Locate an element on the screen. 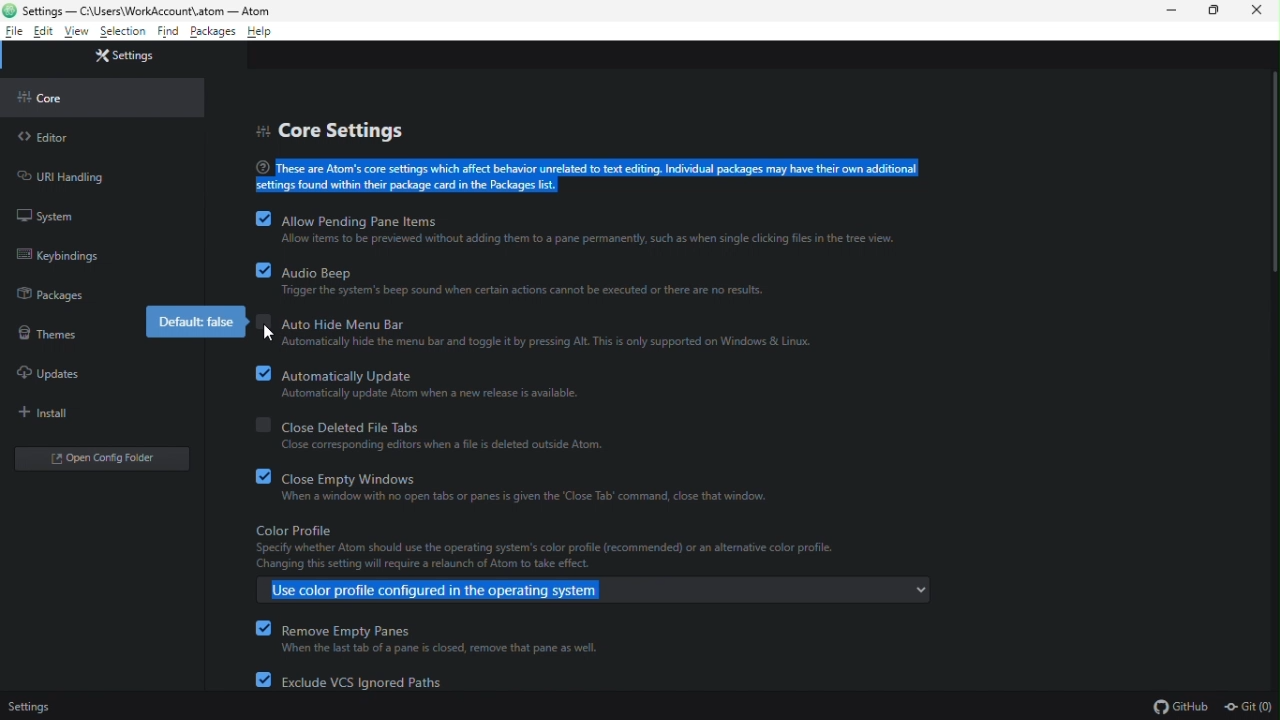  atom logo is located at coordinates (10, 9).